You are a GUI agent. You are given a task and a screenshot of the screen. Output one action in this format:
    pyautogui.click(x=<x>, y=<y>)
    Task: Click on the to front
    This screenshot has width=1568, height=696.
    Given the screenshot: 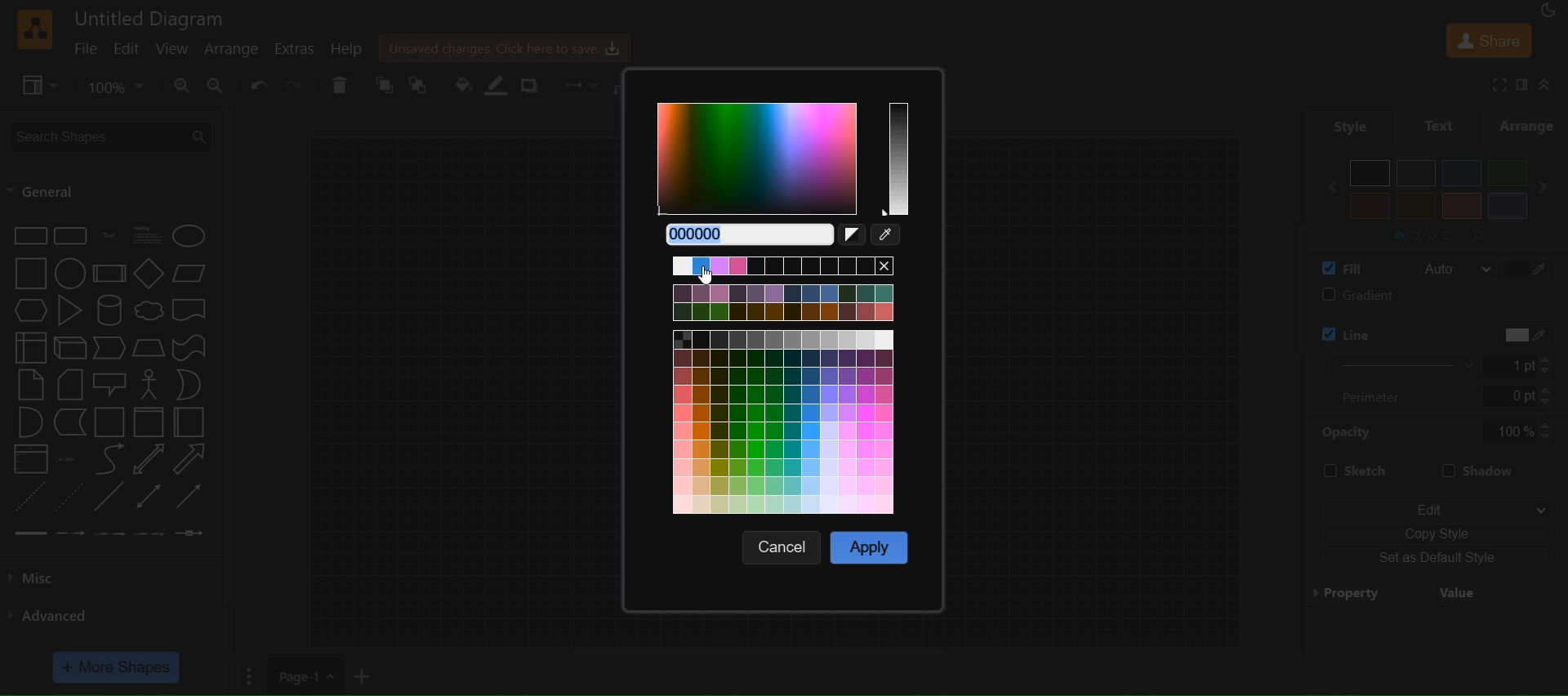 What is the action you would take?
    pyautogui.click(x=385, y=86)
    